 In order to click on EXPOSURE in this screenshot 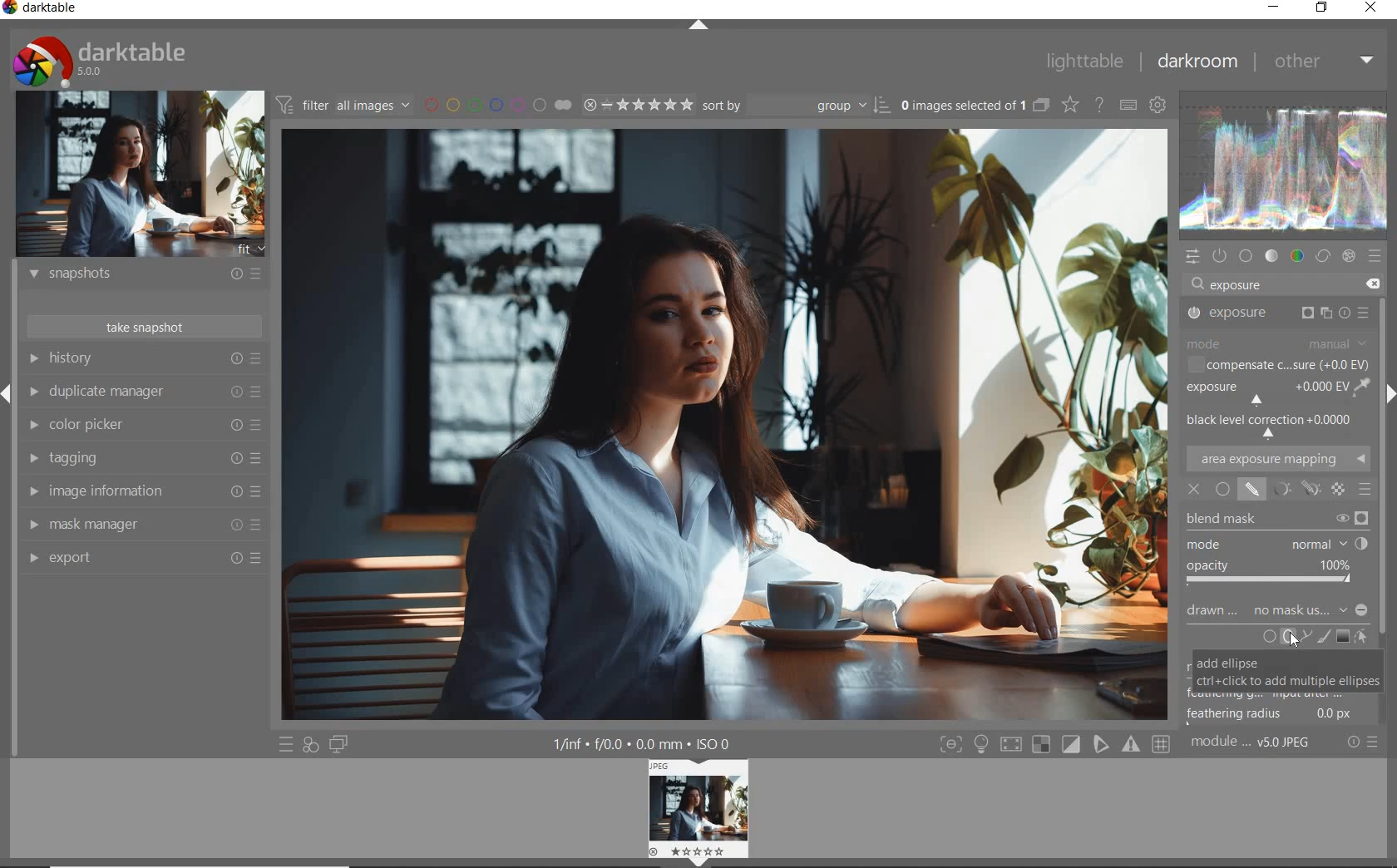, I will do `click(1276, 314)`.